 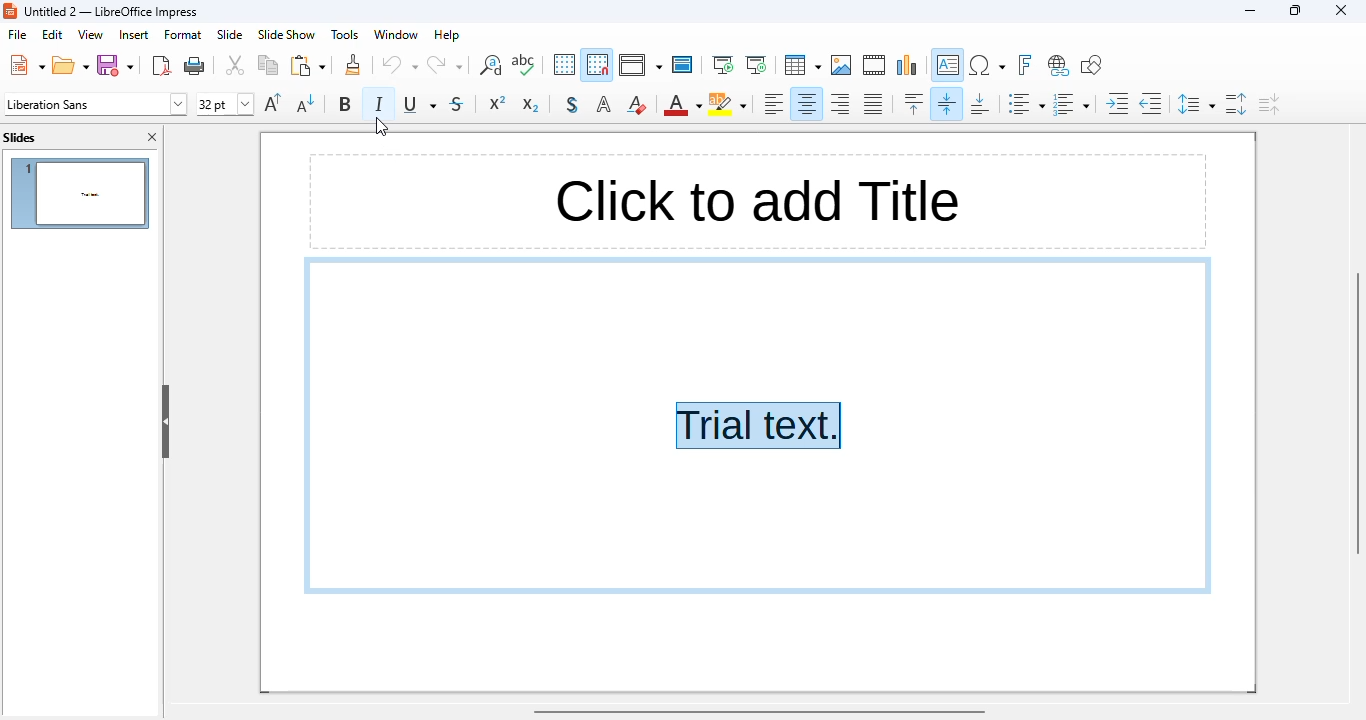 I want to click on window, so click(x=398, y=35).